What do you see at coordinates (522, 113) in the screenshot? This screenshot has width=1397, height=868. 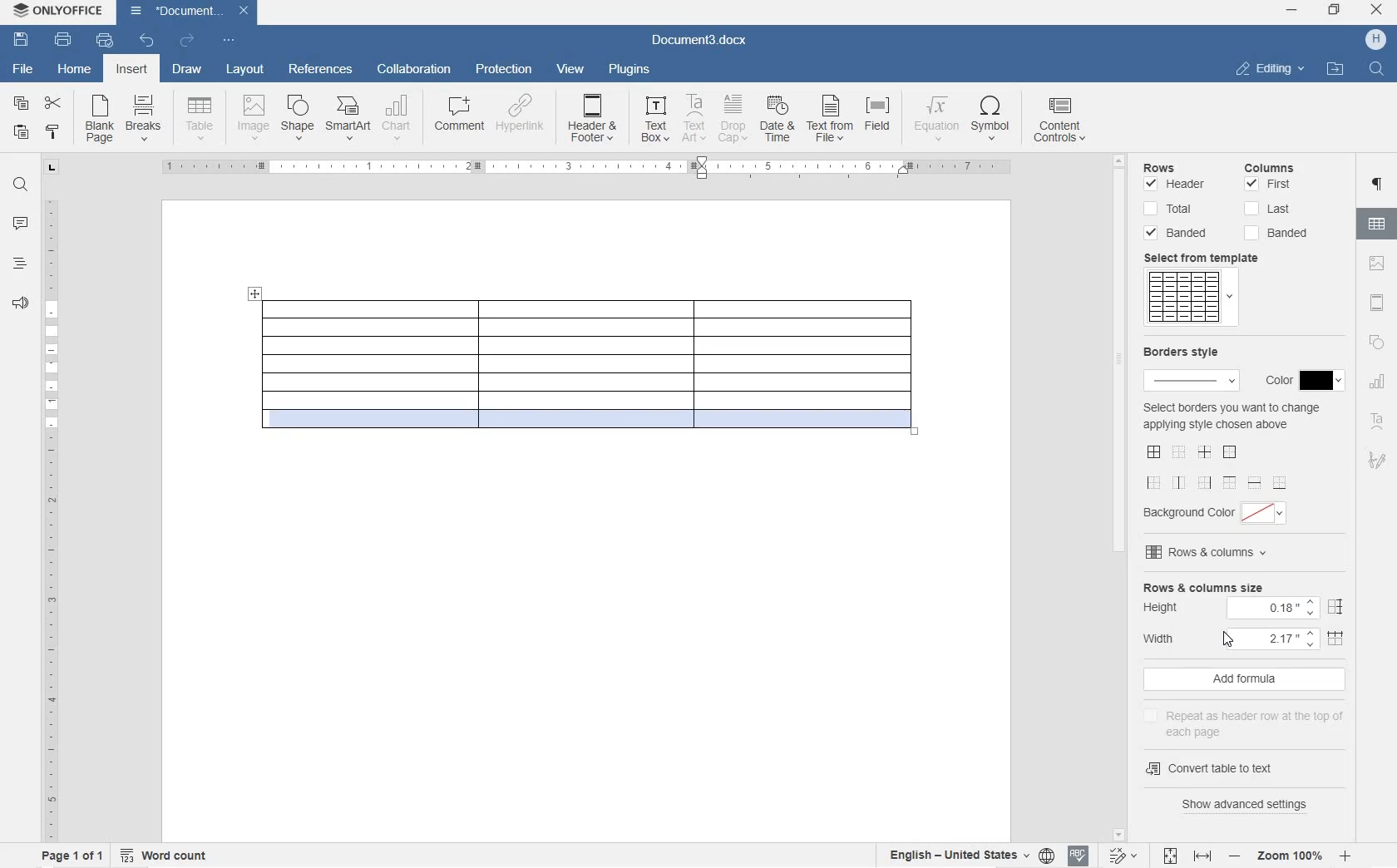 I see `HYPERLINK` at bounding box center [522, 113].